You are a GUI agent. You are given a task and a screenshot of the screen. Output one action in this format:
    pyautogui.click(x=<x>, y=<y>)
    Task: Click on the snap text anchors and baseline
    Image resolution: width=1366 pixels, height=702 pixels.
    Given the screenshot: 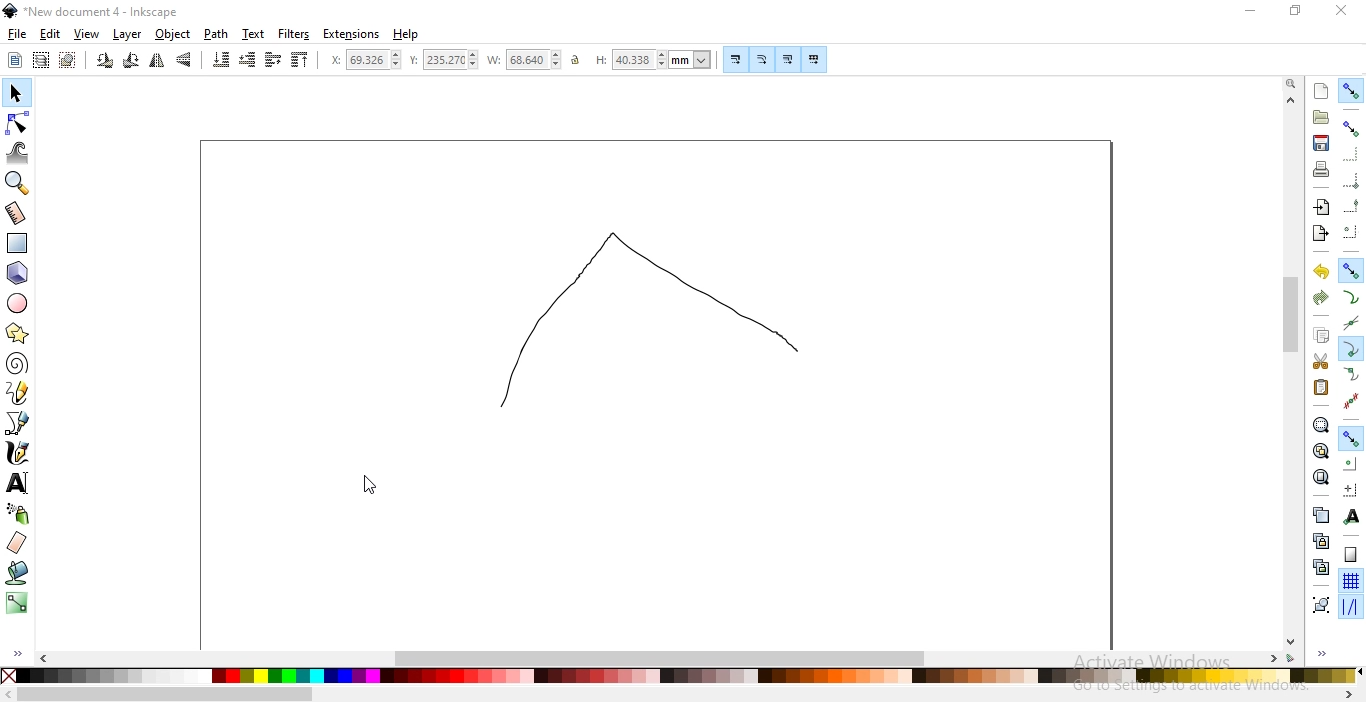 What is the action you would take?
    pyautogui.click(x=1352, y=516)
    